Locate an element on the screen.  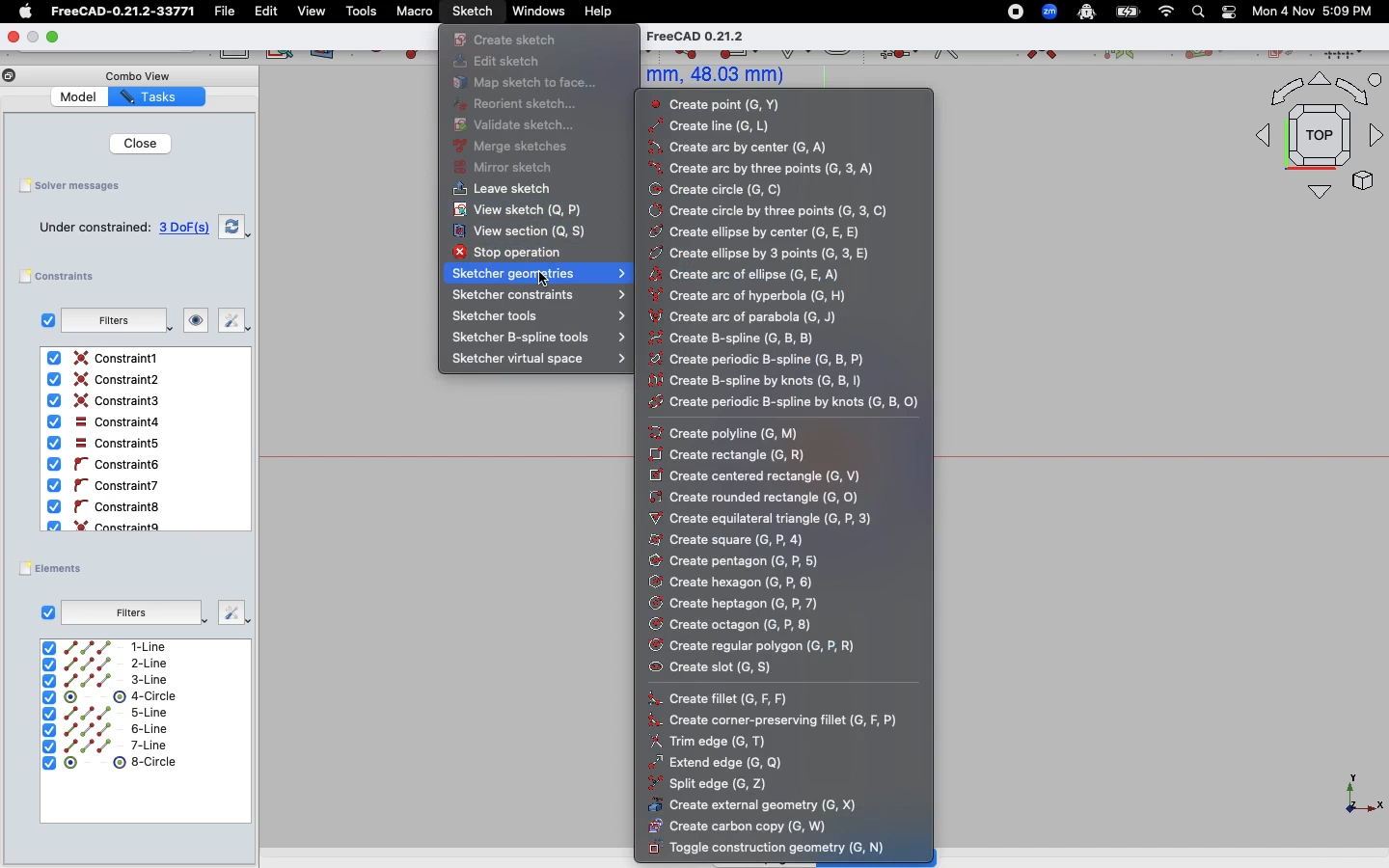
Map sketch to face is located at coordinates (531, 84).